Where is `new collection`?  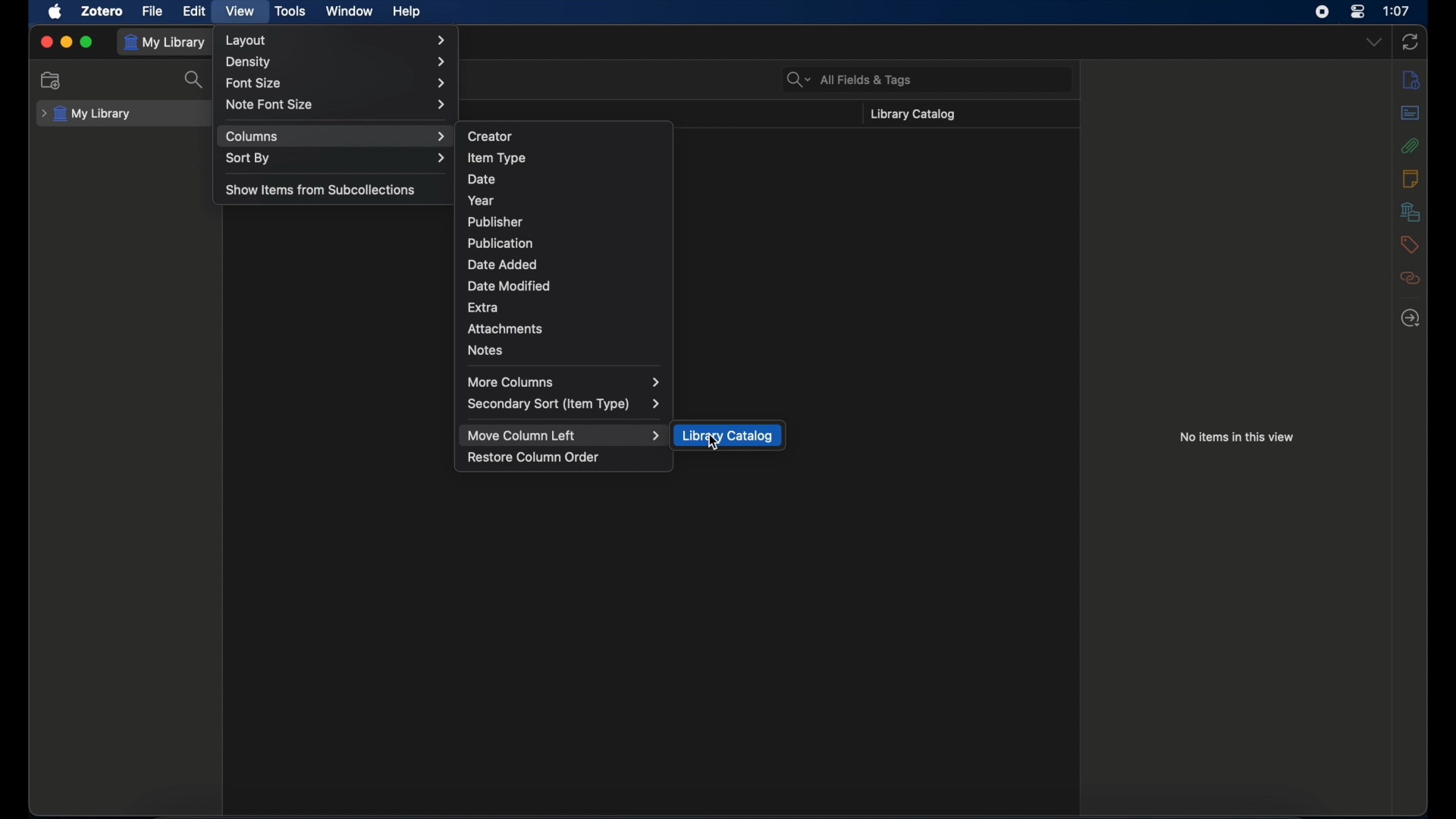
new collection is located at coordinates (50, 80).